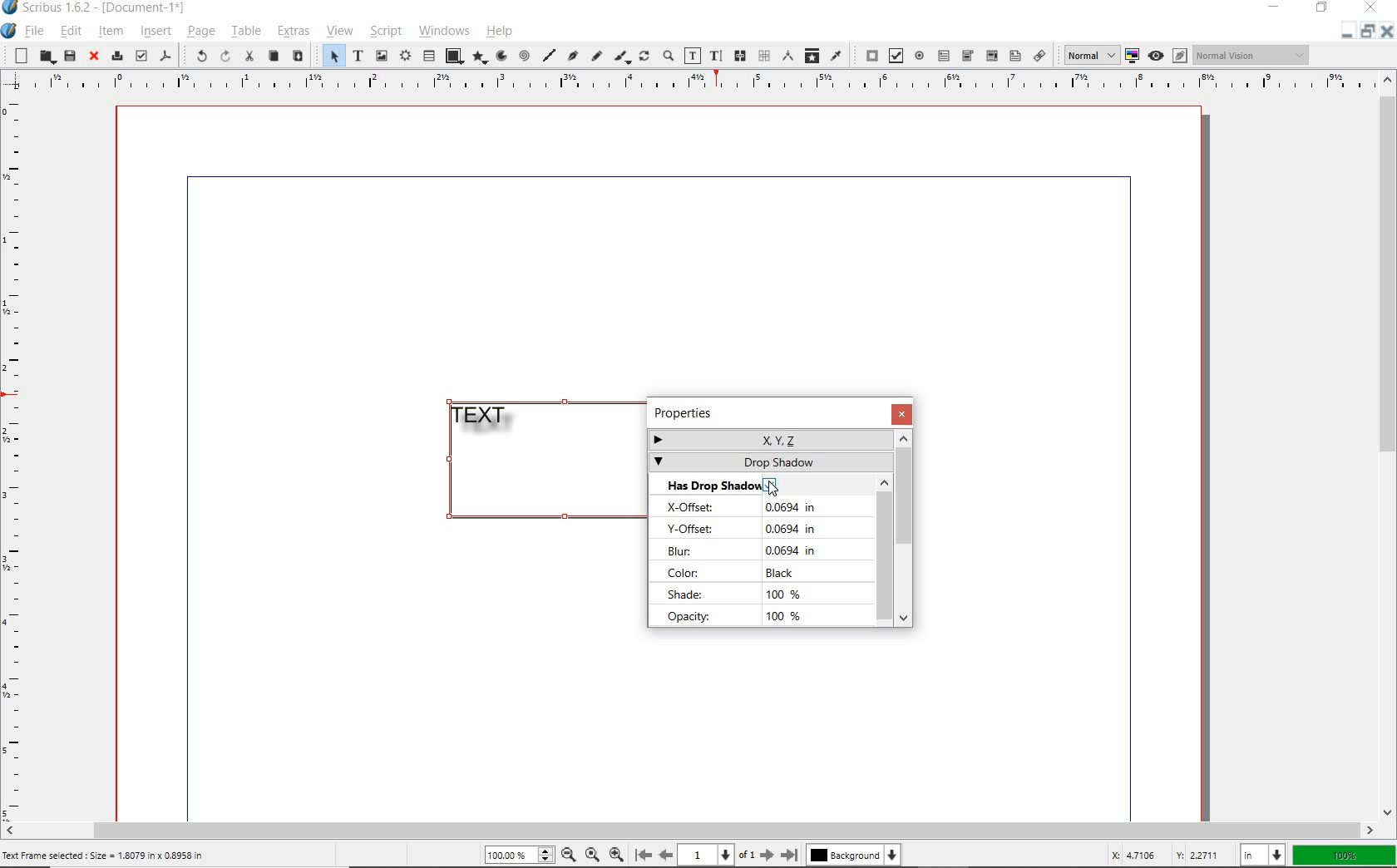  I want to click on toggle color, so click(1133, 55).